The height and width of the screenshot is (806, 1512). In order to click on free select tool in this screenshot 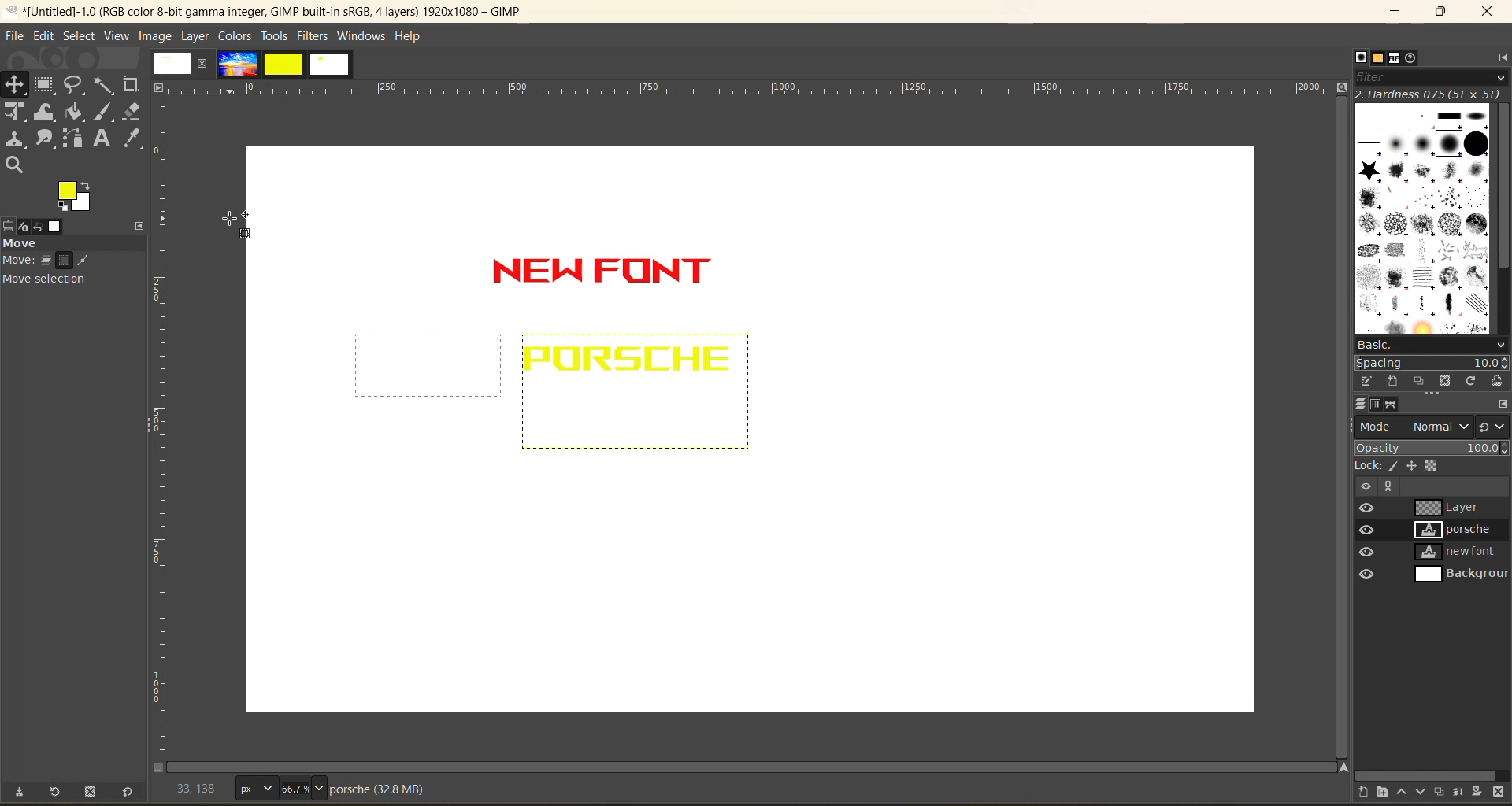, I will do `click(75, 86)`.